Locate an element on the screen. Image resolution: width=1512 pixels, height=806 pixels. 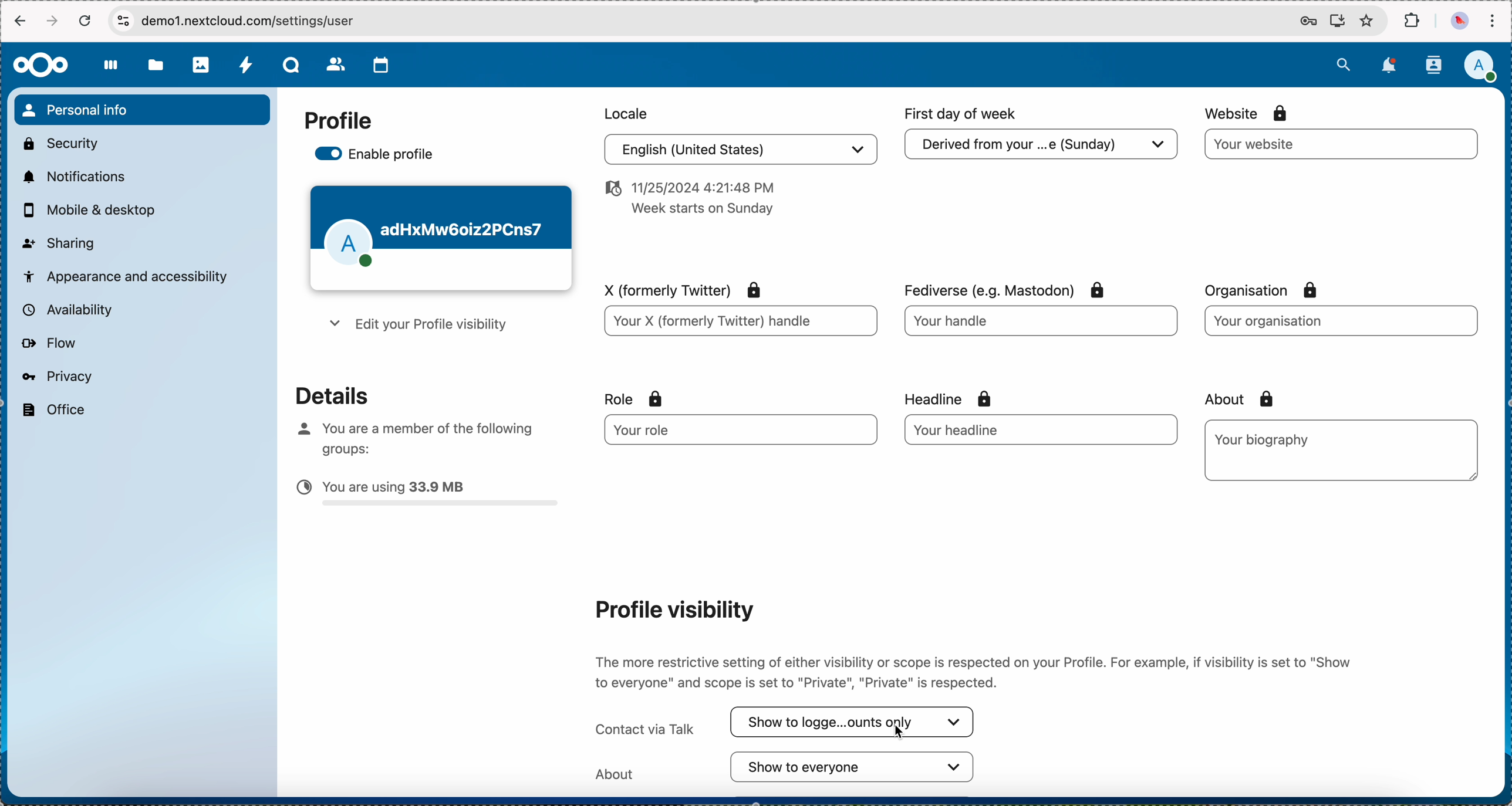
navigate back is located at coordinates (18, 23).